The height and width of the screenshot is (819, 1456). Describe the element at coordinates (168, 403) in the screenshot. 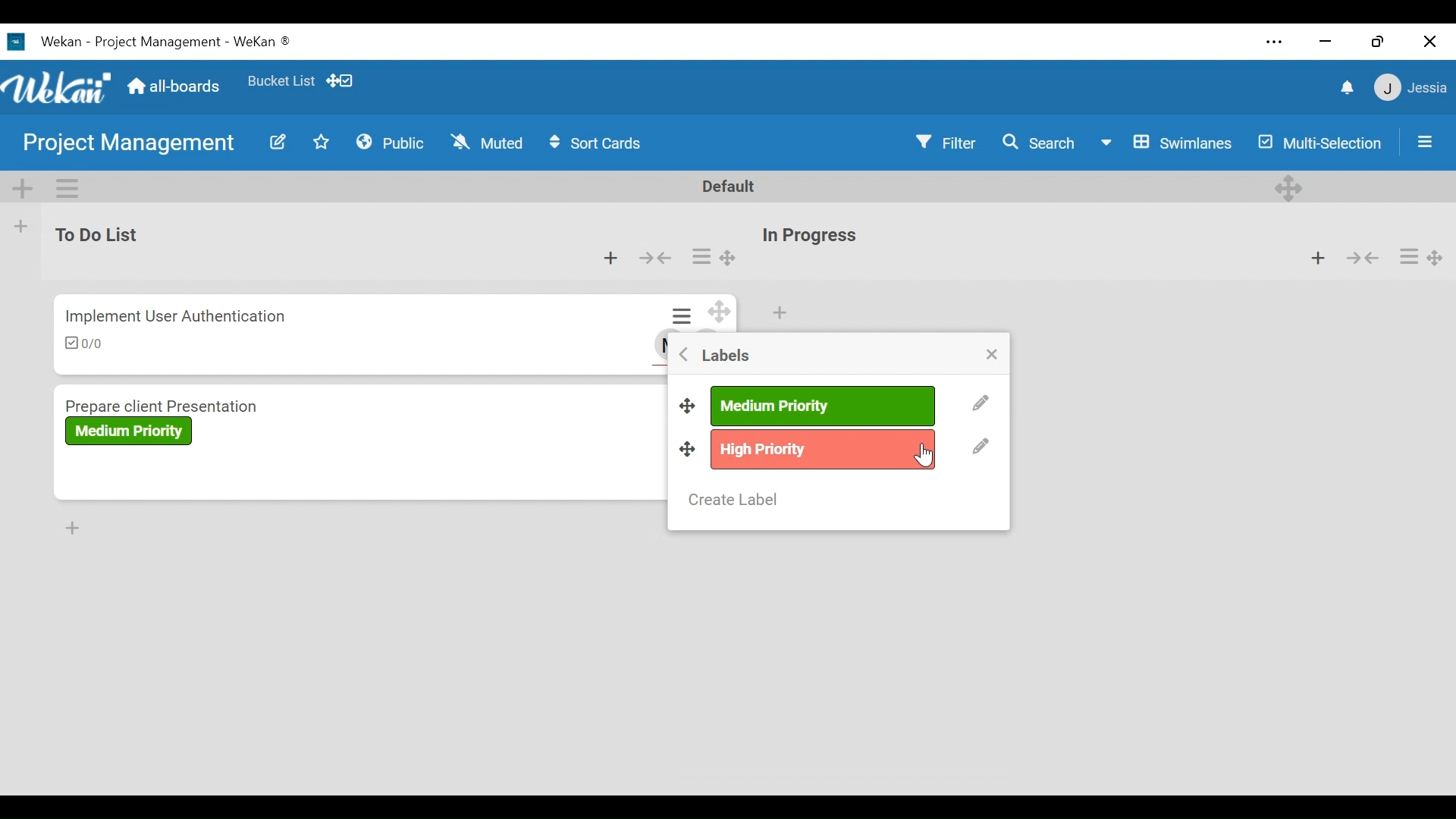

I see `Card Title` at that location.